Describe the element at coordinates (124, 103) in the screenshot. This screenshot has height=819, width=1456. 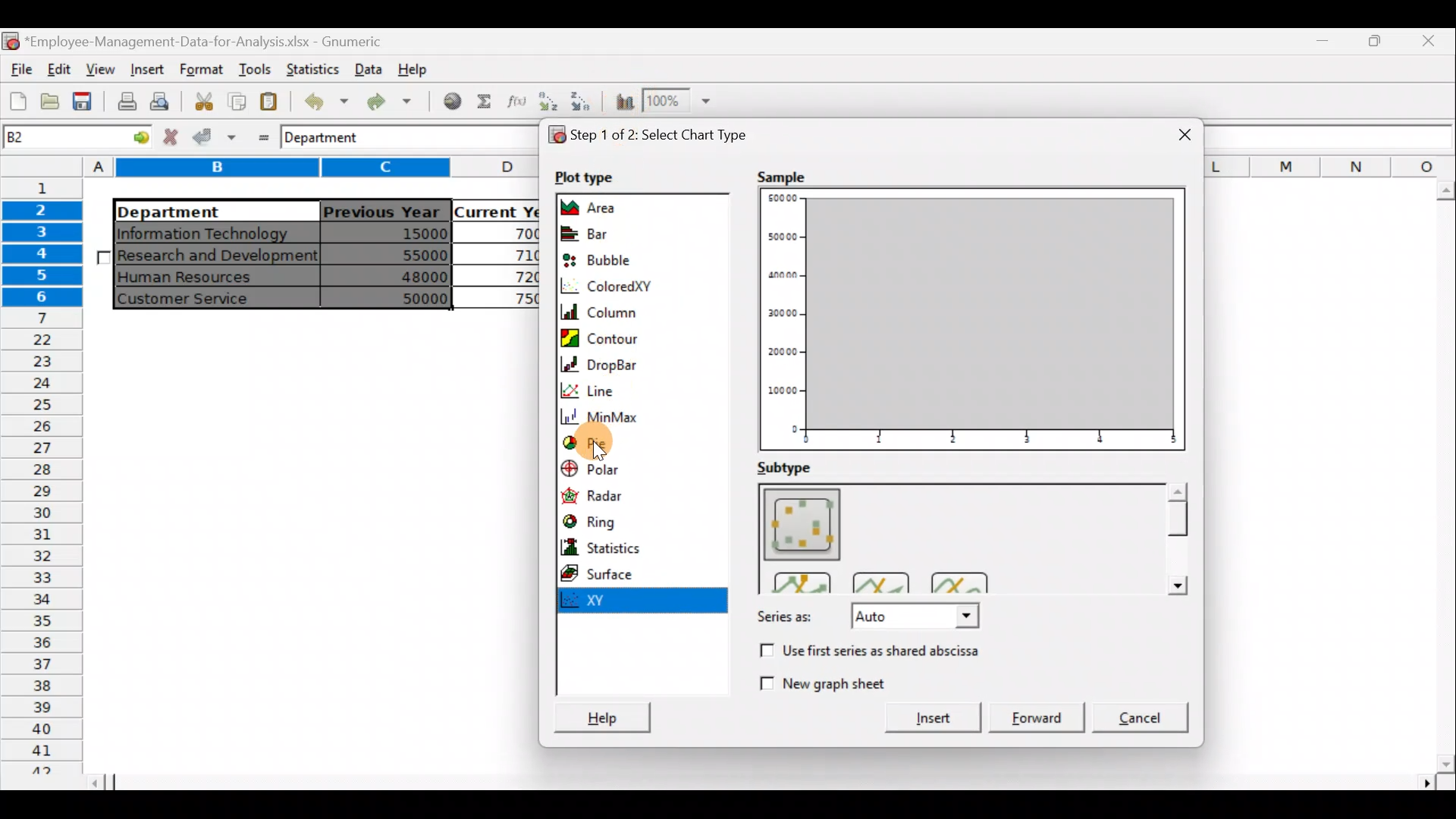
I see `Print current file` at that location.